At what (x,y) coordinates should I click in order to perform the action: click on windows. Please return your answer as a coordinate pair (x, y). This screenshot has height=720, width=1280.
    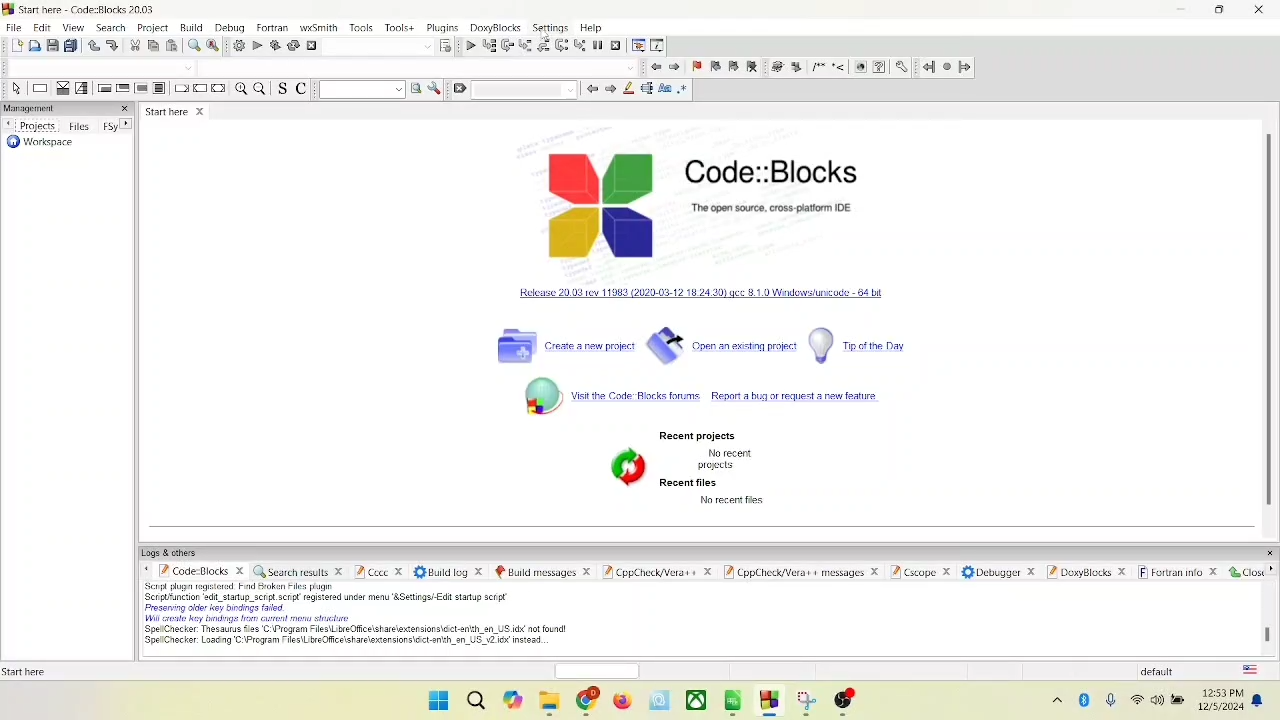
    Looking at the image, I should click on (438, 701).